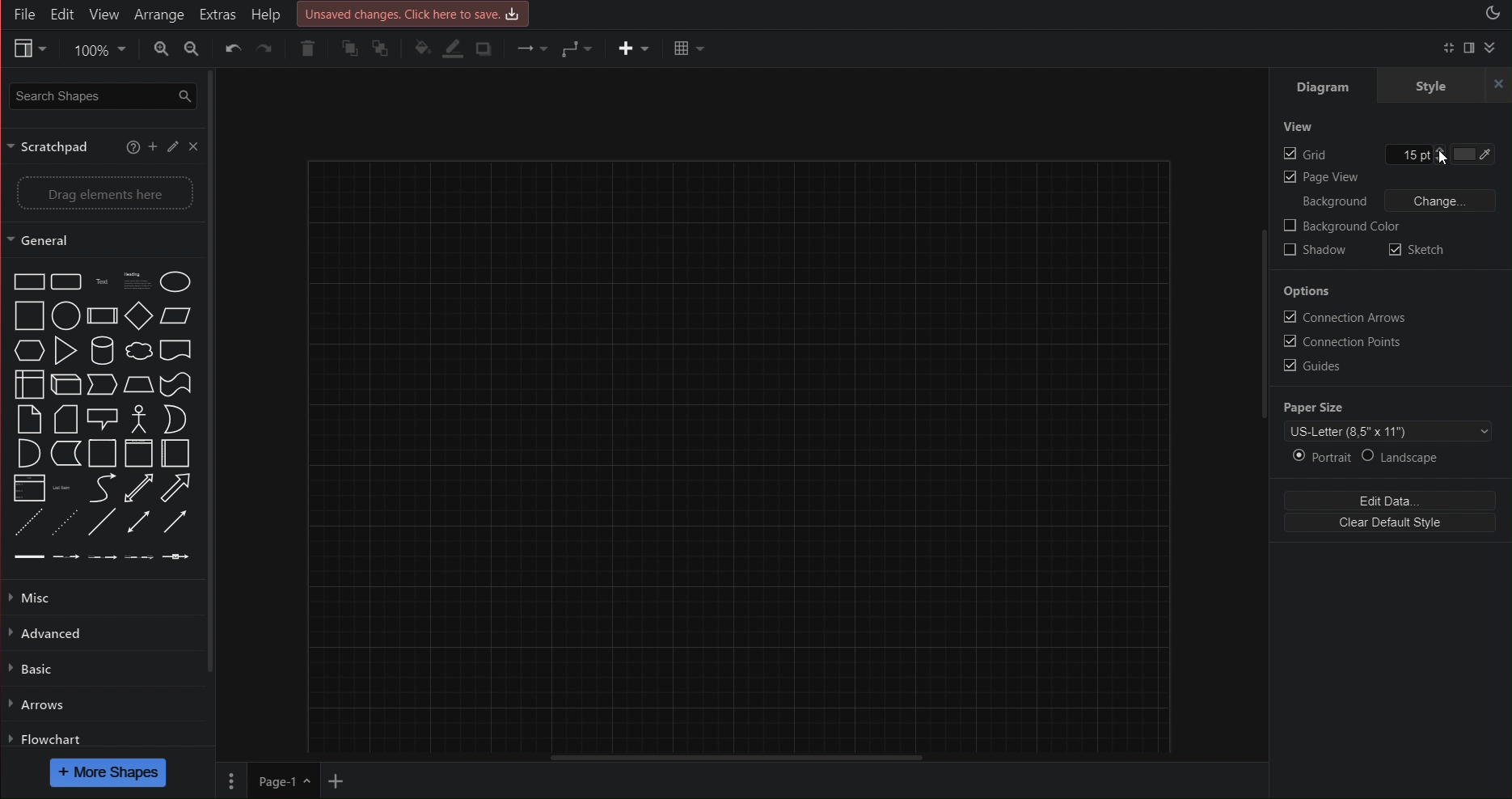 Image resolution: width=1512 pixels, height=799 pixels. I want to click on Triangle, so click(63, 346).